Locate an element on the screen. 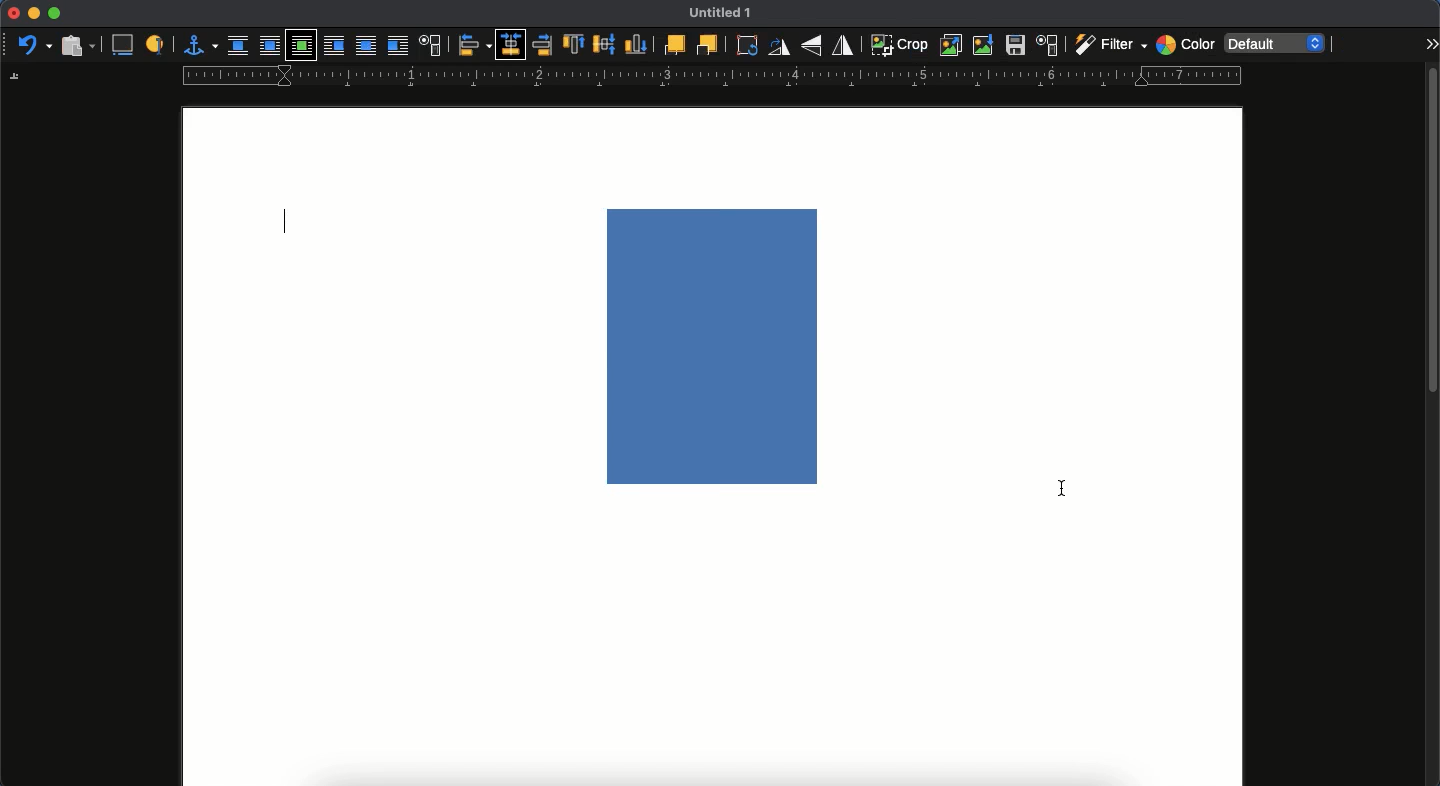 This screenshot has width=1440, height=786. before is located at coordinates (335, 46).